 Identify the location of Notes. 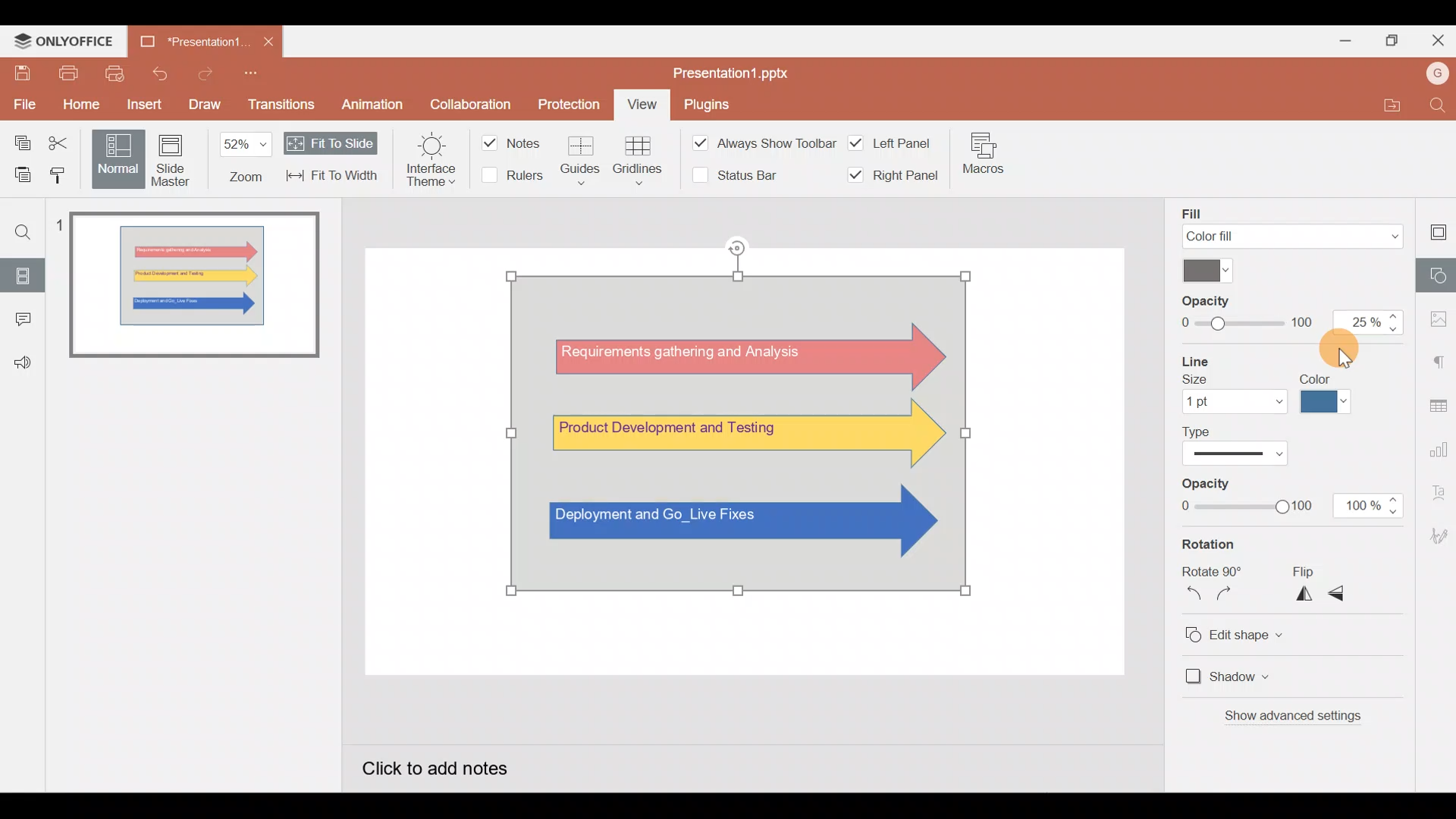
(512, 141).